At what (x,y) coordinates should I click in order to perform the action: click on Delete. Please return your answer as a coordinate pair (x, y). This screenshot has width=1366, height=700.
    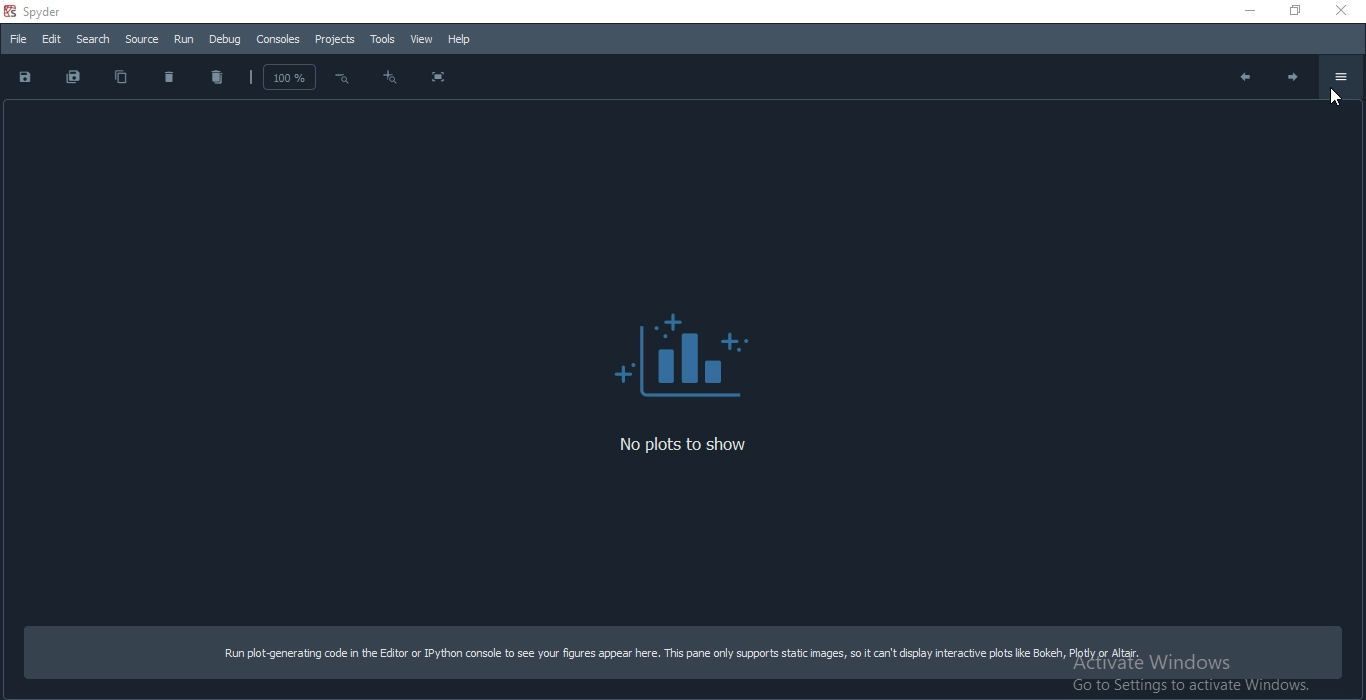
    Looking at the image, I should click on (170, 77).